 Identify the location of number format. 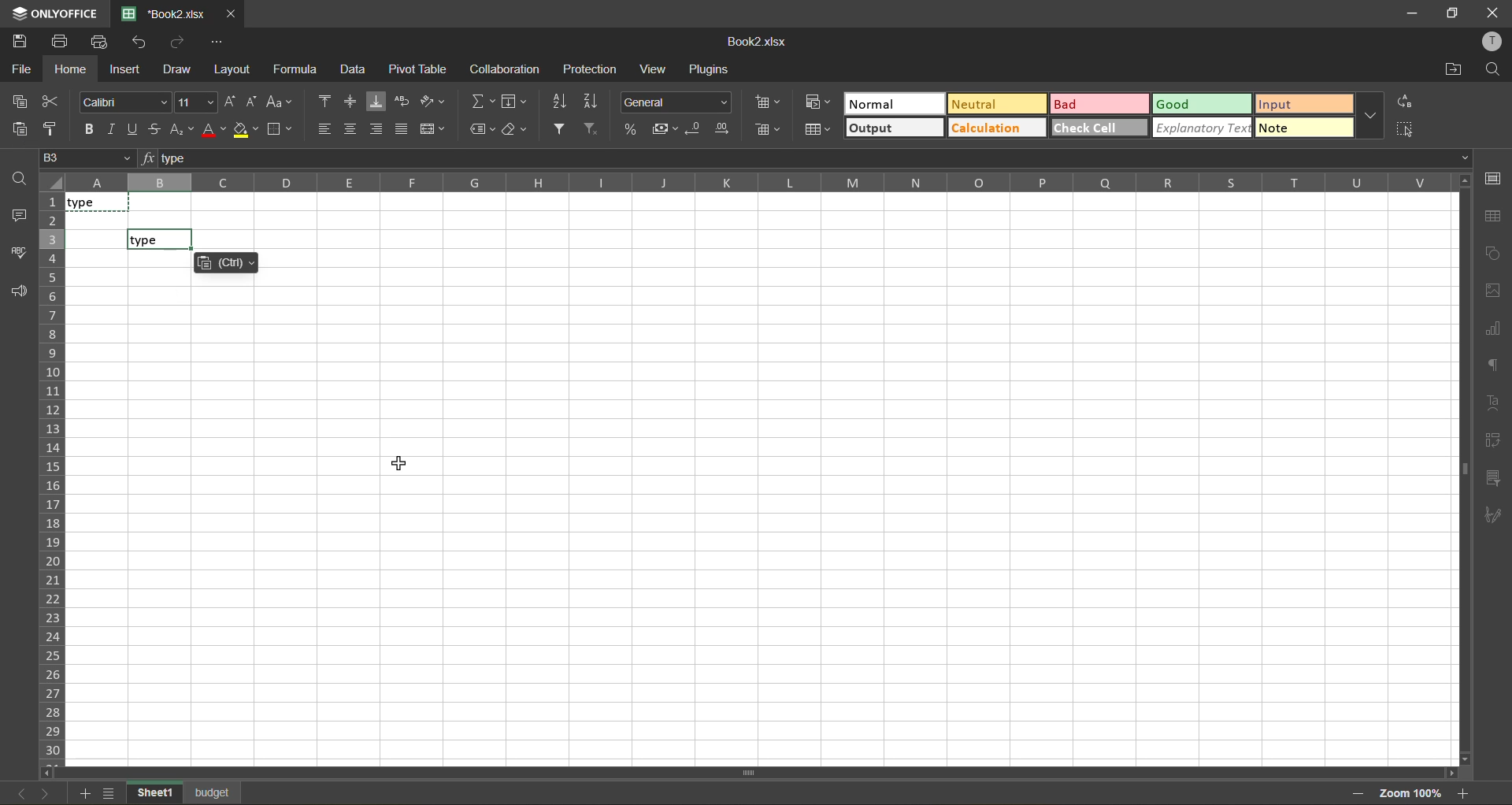
(676, 102).